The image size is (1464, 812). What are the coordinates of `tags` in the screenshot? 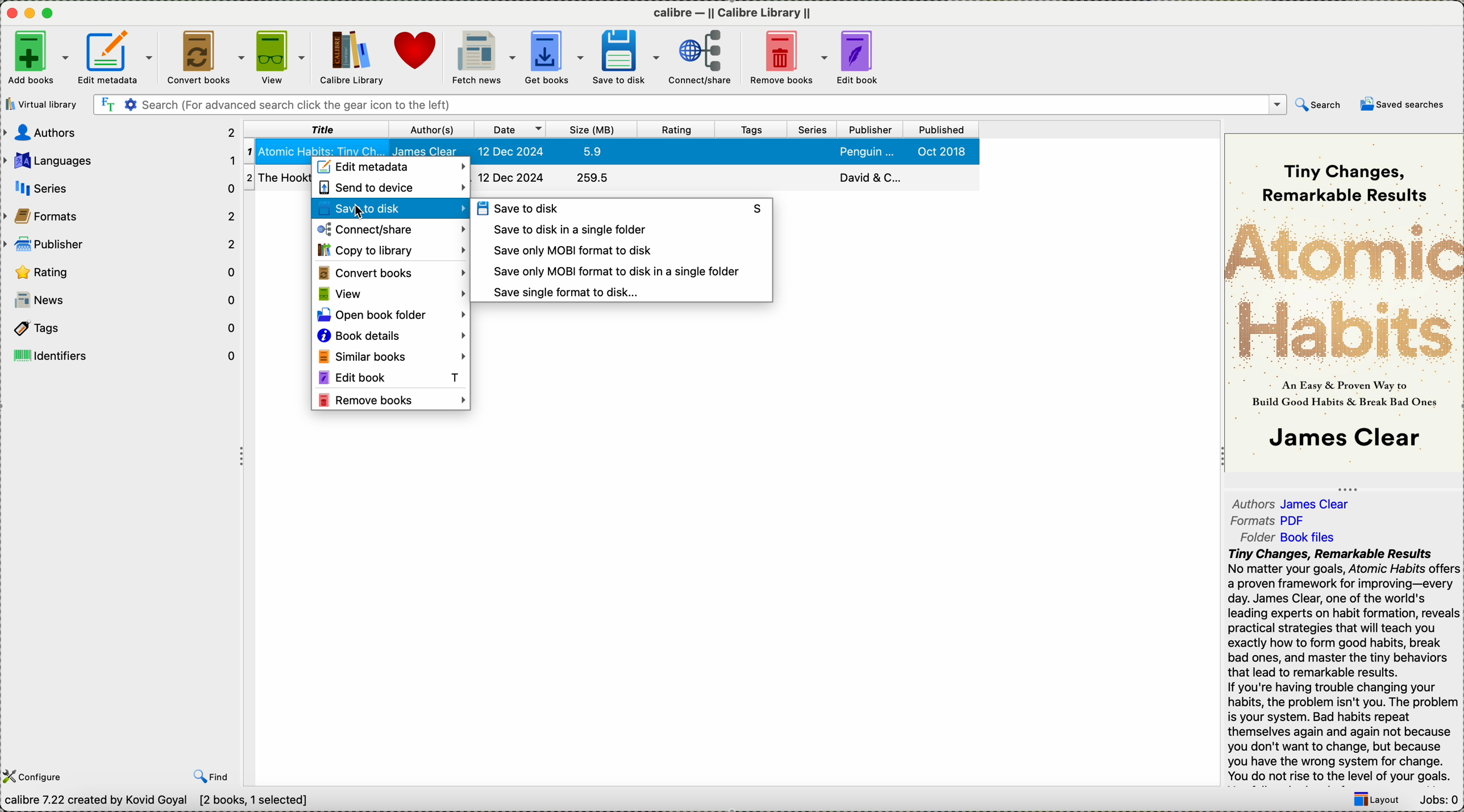 It's located at (120, 327).